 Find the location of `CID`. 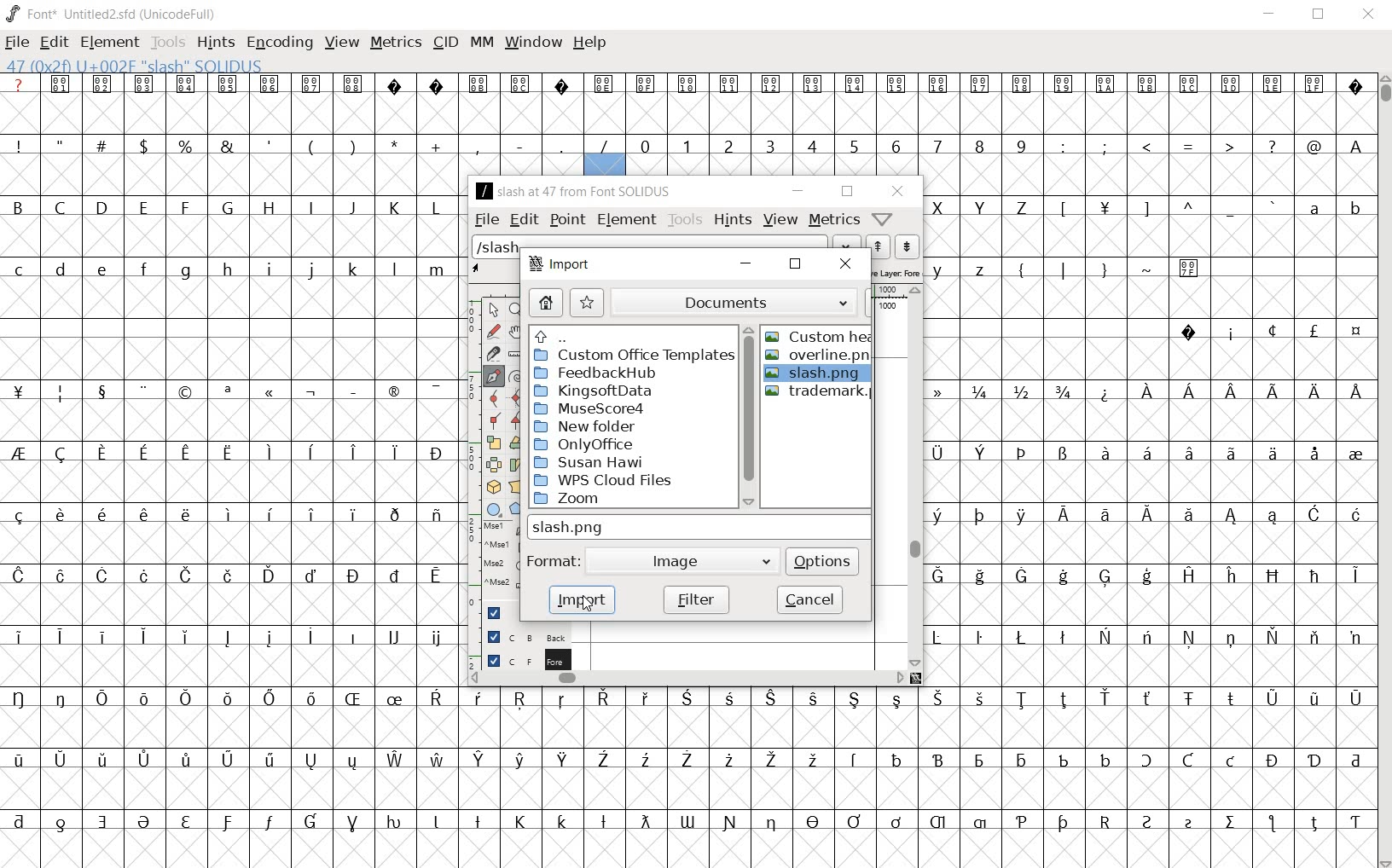

CID is located at coordinates (445, 43).